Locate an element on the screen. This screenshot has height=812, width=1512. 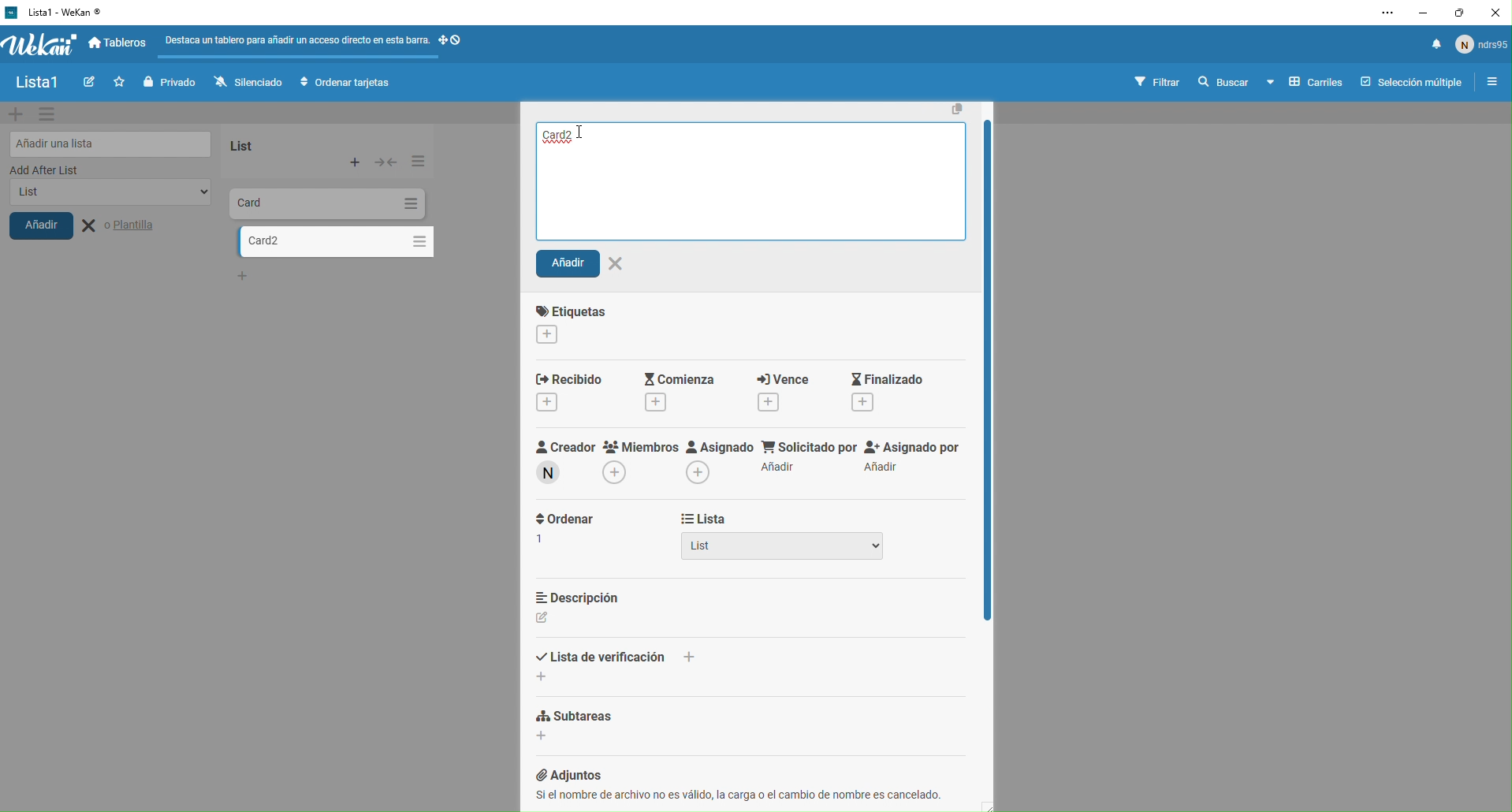
Finalizado is located at coordinates (902, 389).